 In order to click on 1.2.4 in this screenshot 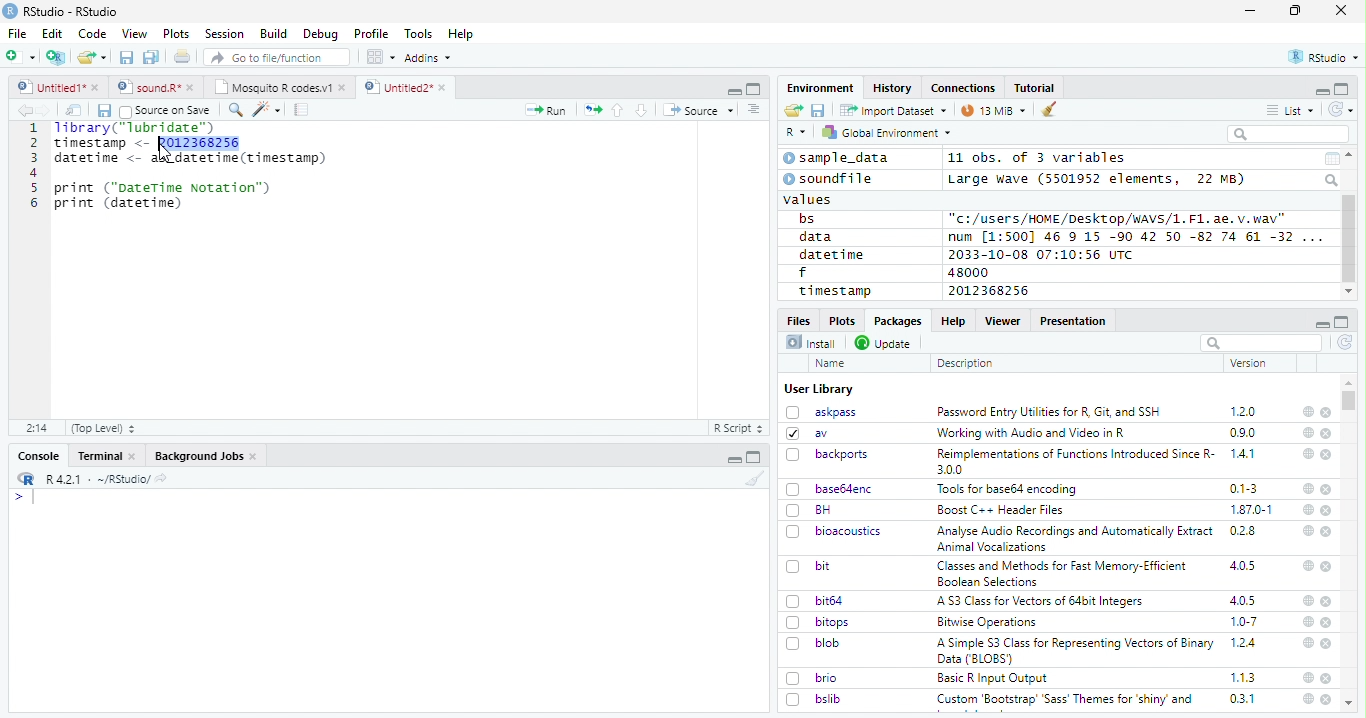, I will do `click(1245, 642)`.